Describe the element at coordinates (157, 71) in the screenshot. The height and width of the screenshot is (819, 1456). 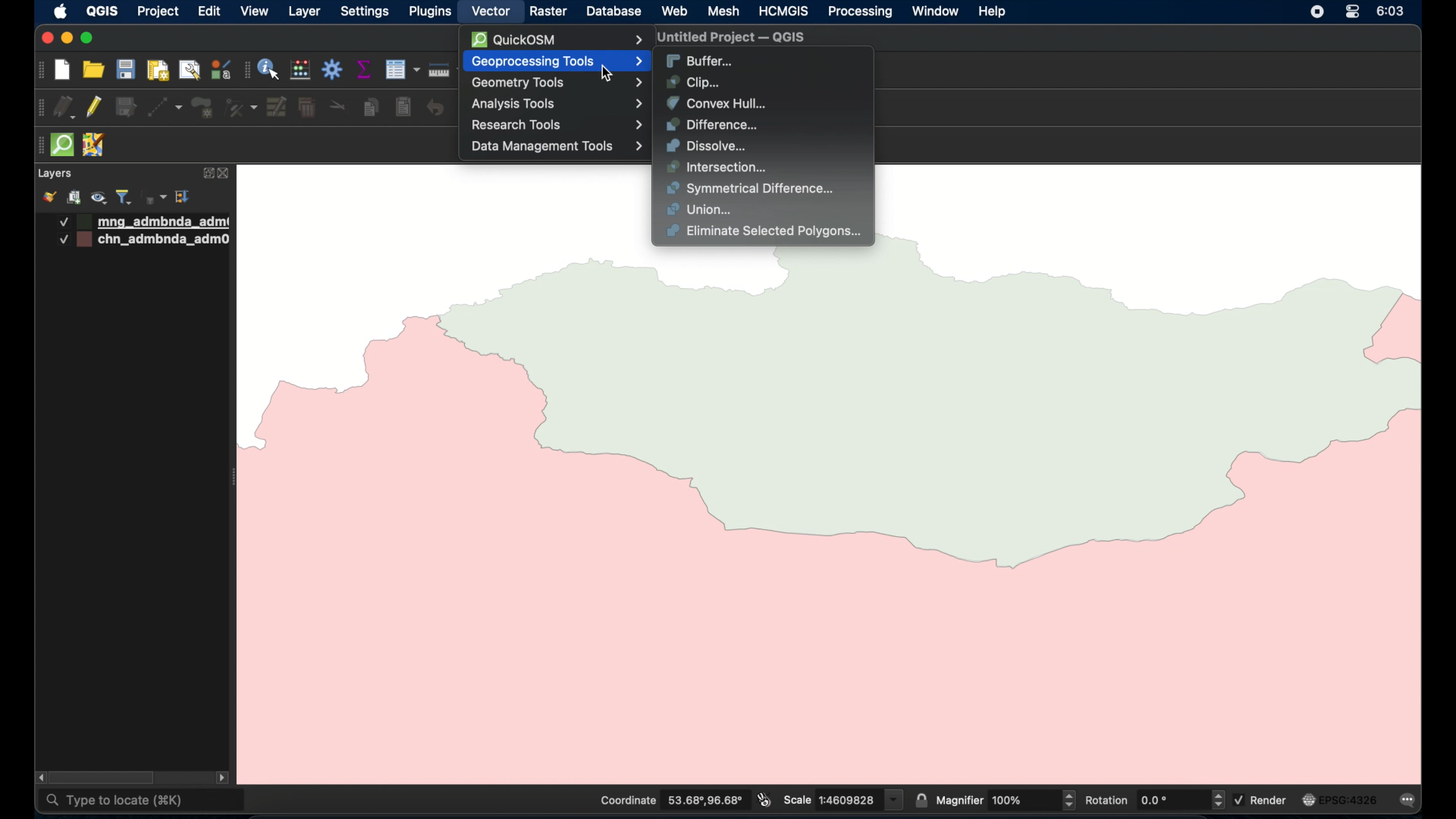
I see `print layout` at that location.